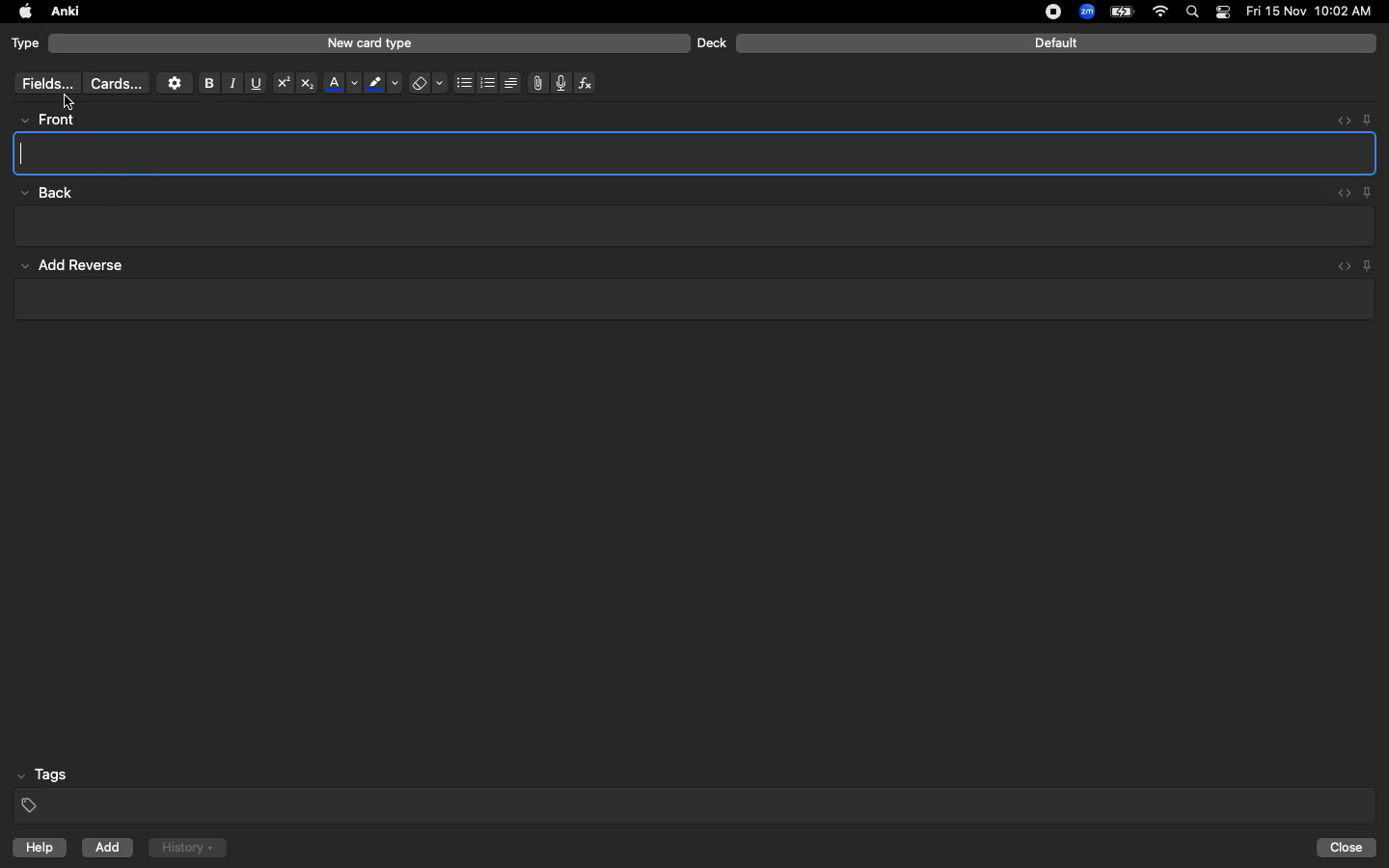 The height and width of the screenshot is (868, 1389). Describe the element at coordinates (368, 42) in the screenshot. I see `New card type` at that location.